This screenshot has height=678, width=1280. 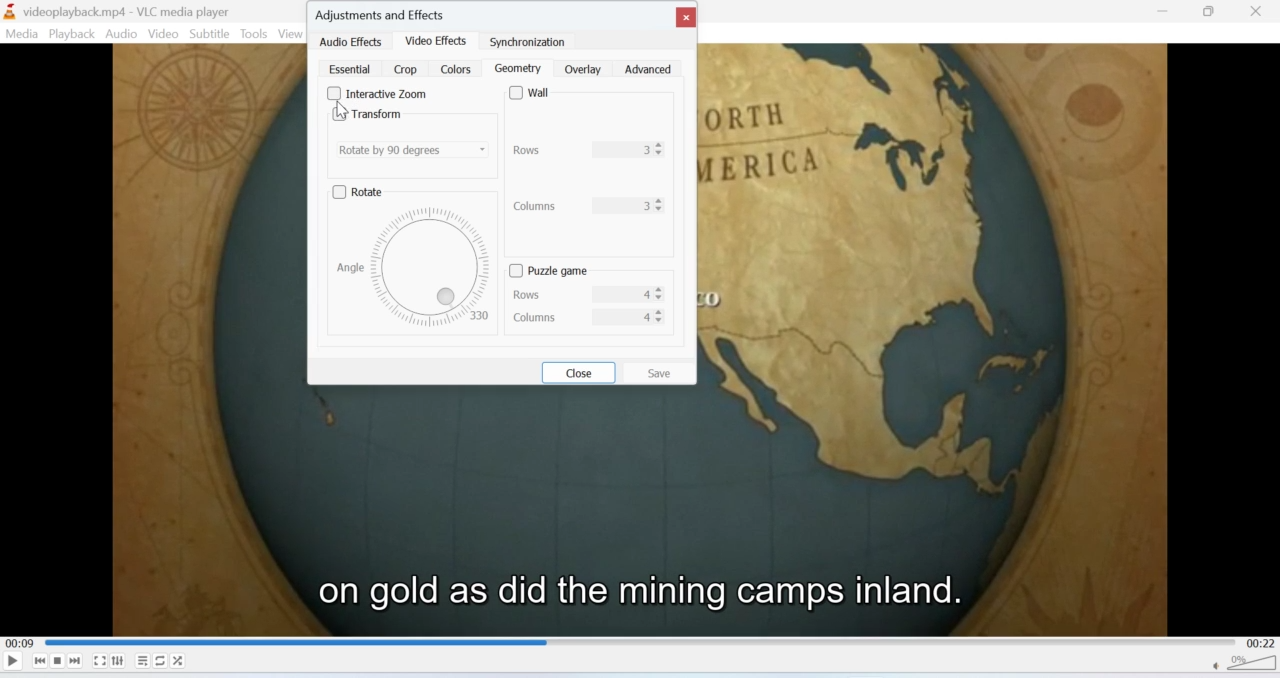 I want to click on angle   330, so click(x=408, y=266).